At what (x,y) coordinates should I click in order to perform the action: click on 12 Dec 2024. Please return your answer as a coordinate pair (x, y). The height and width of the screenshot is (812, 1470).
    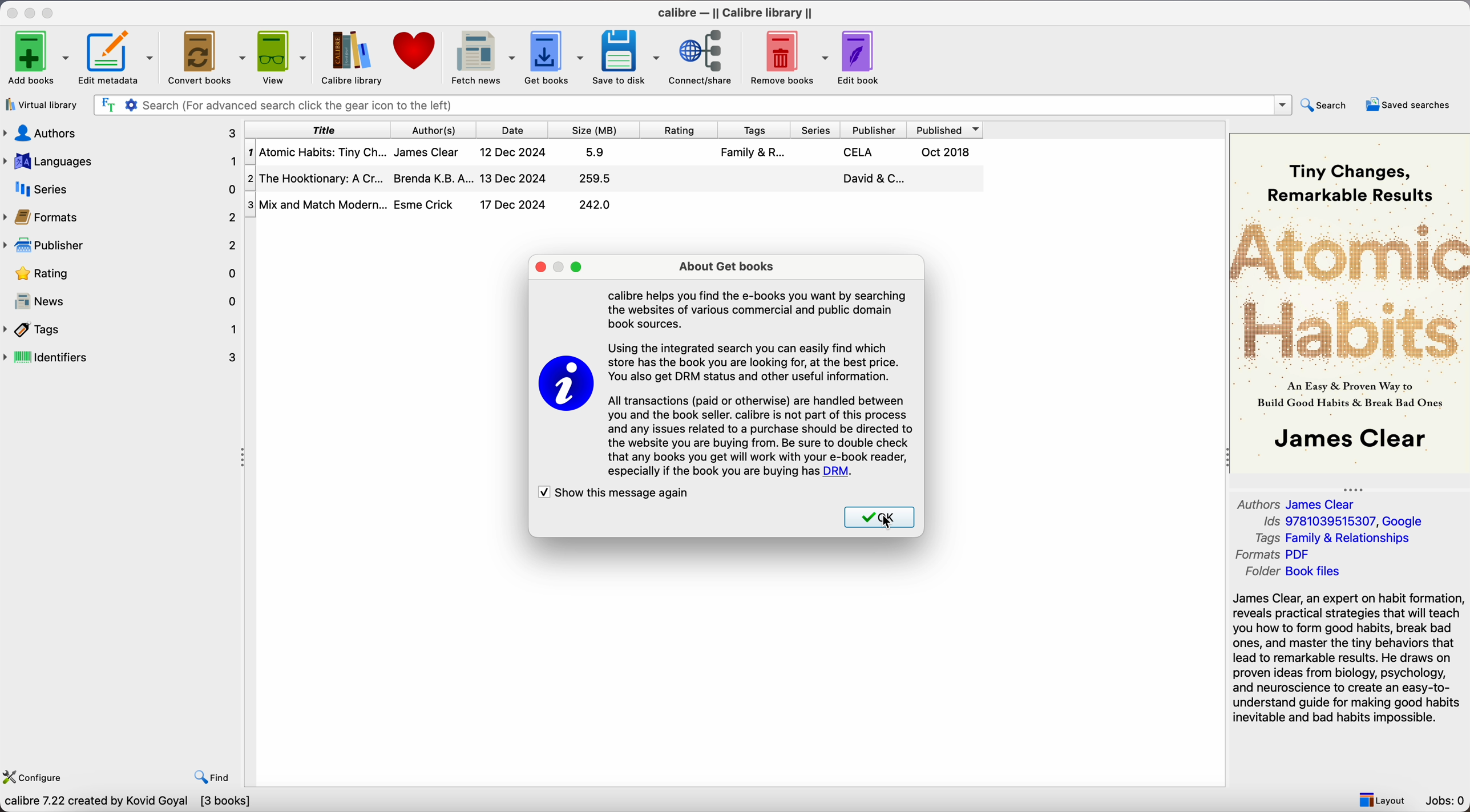
    Looking at the image, I should click on (513, 152).